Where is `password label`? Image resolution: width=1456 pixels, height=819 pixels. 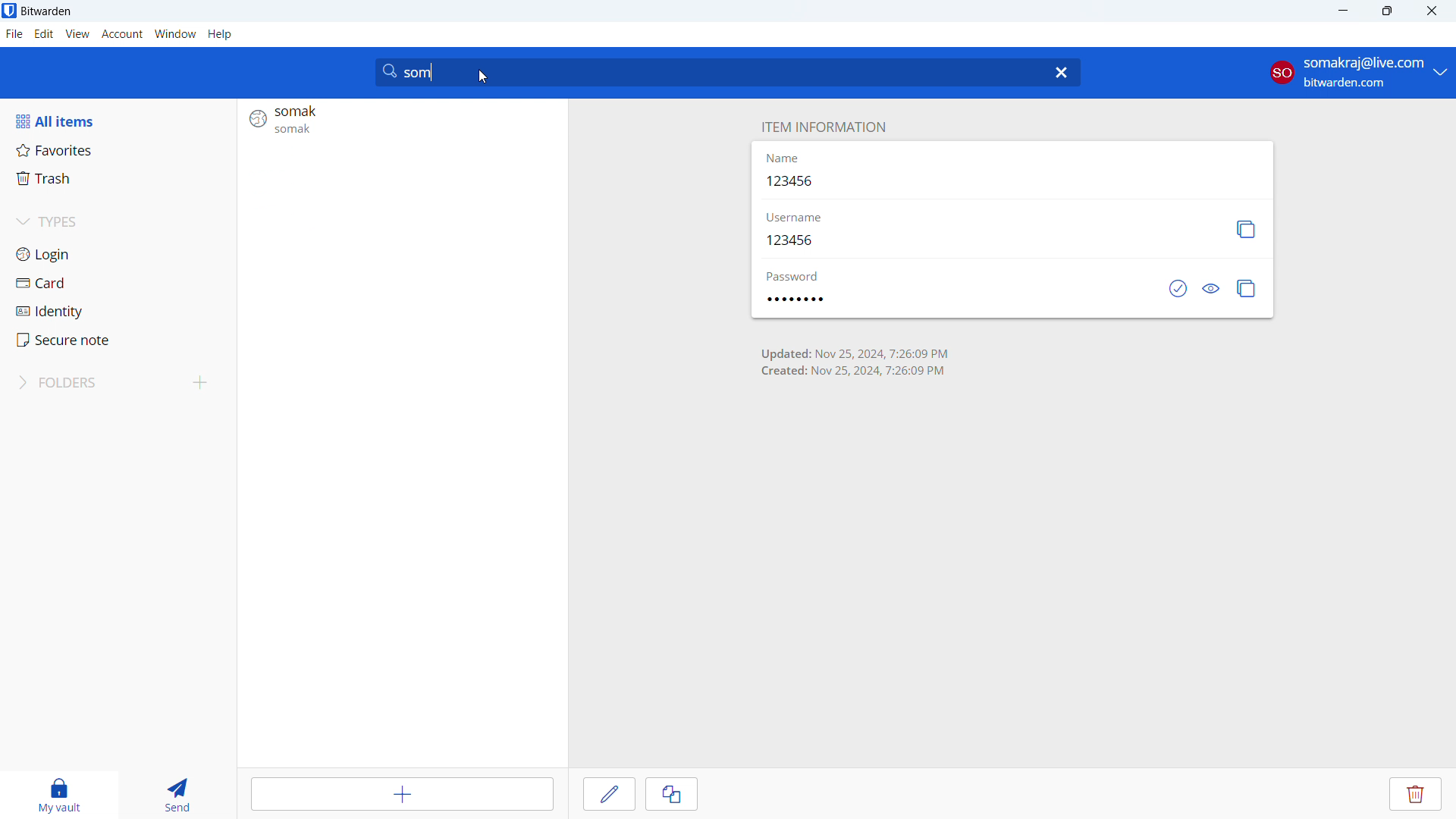
password label is located at coordinates (798, 274).